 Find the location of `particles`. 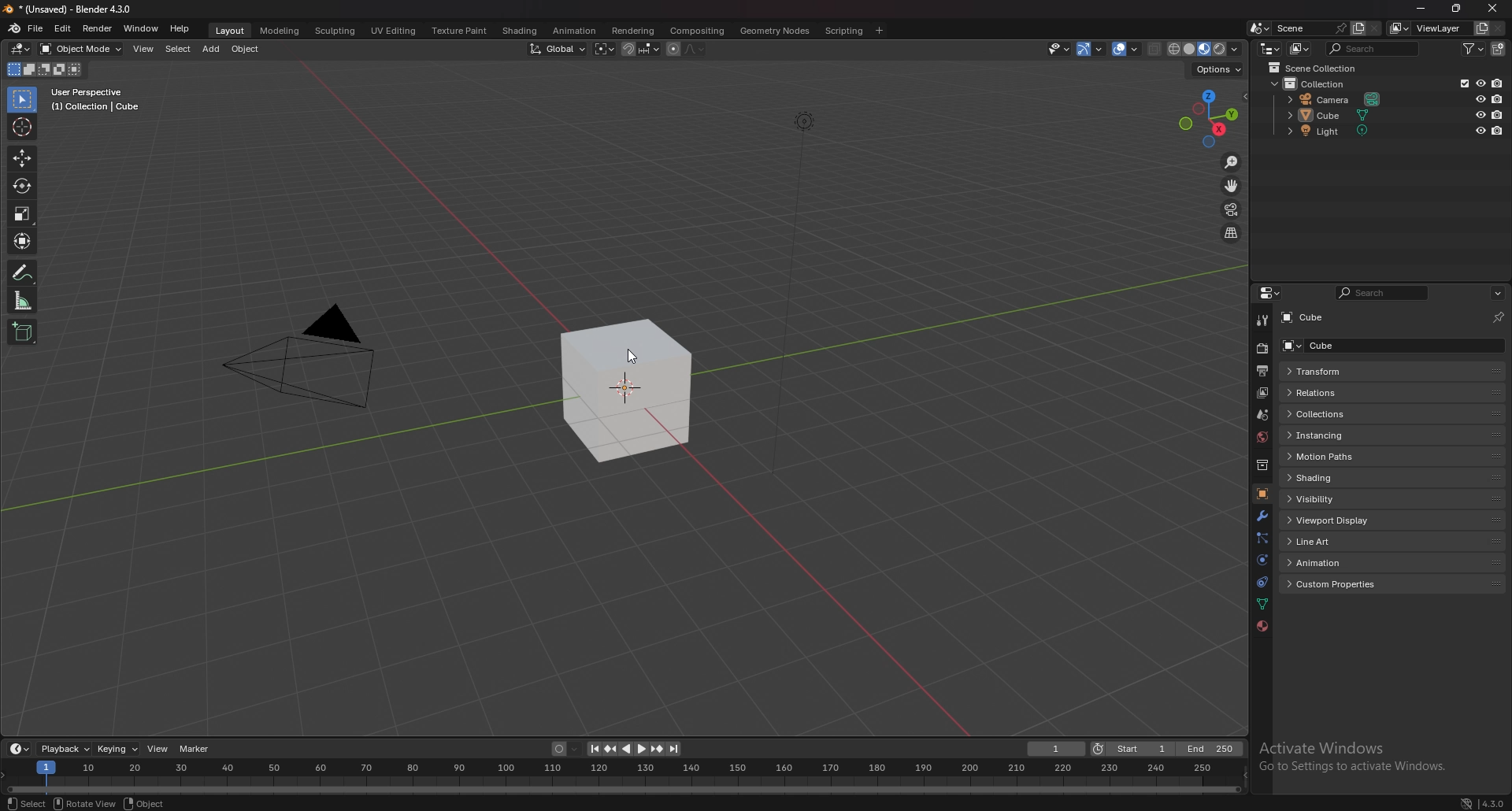

particles is located at coordinates (1261, 537).